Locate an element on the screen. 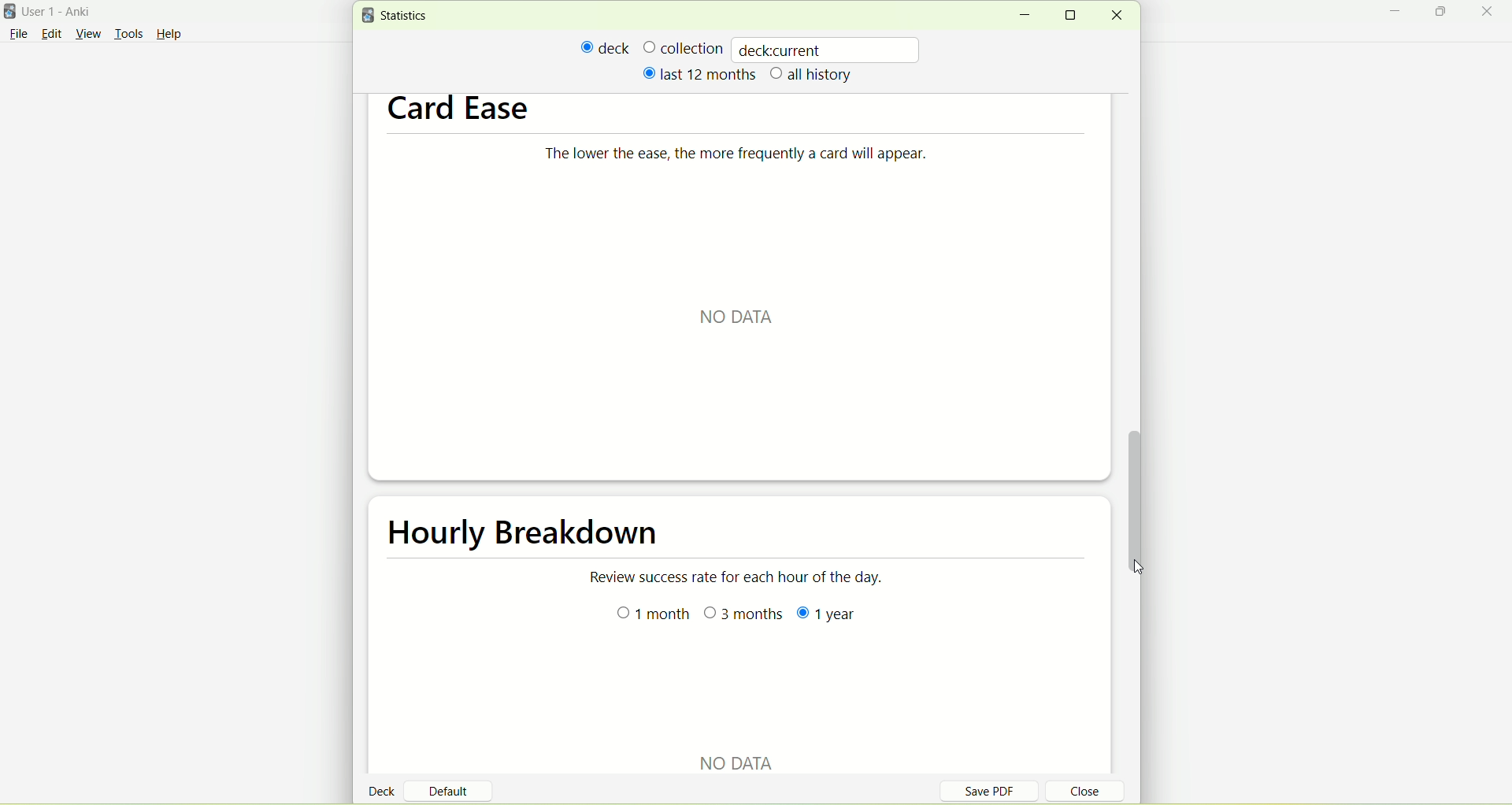 This screenshot has width=1512, height=805. cursor is located at coordinates (1154, 569).